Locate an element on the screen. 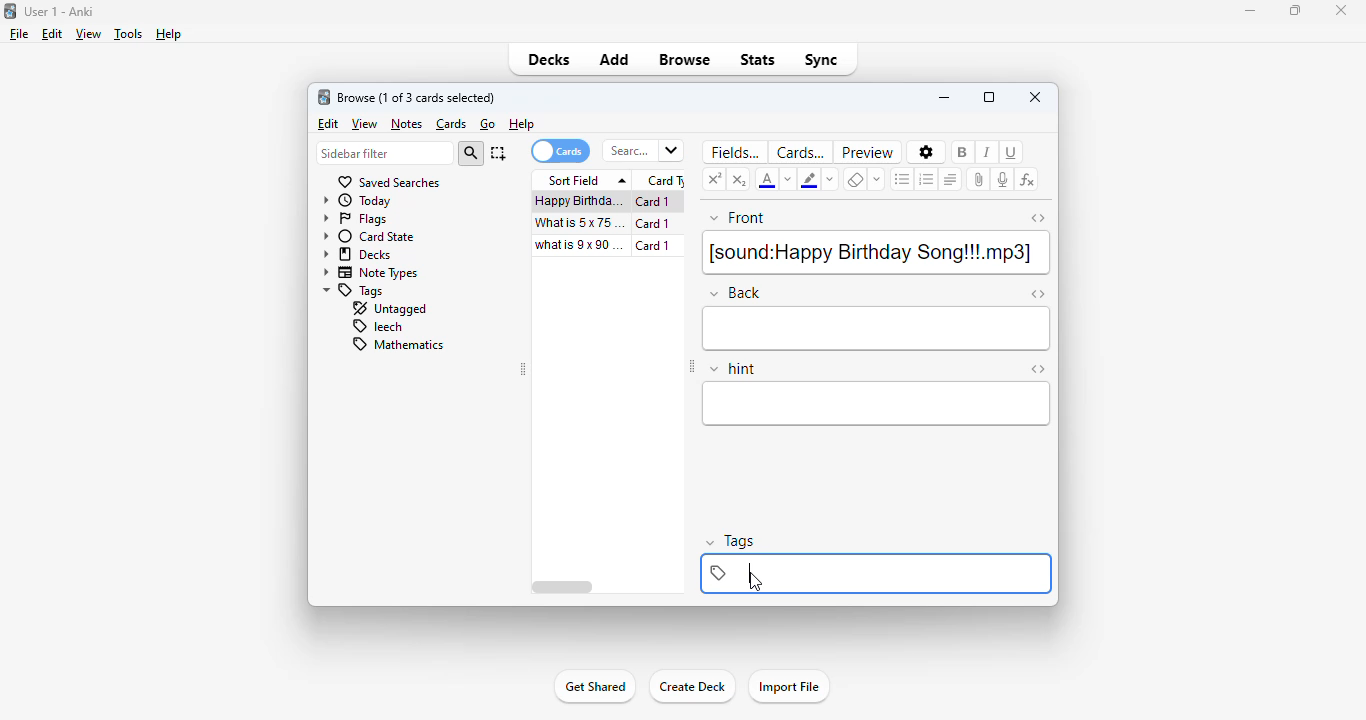  card type is located at coordinates (663, 181).